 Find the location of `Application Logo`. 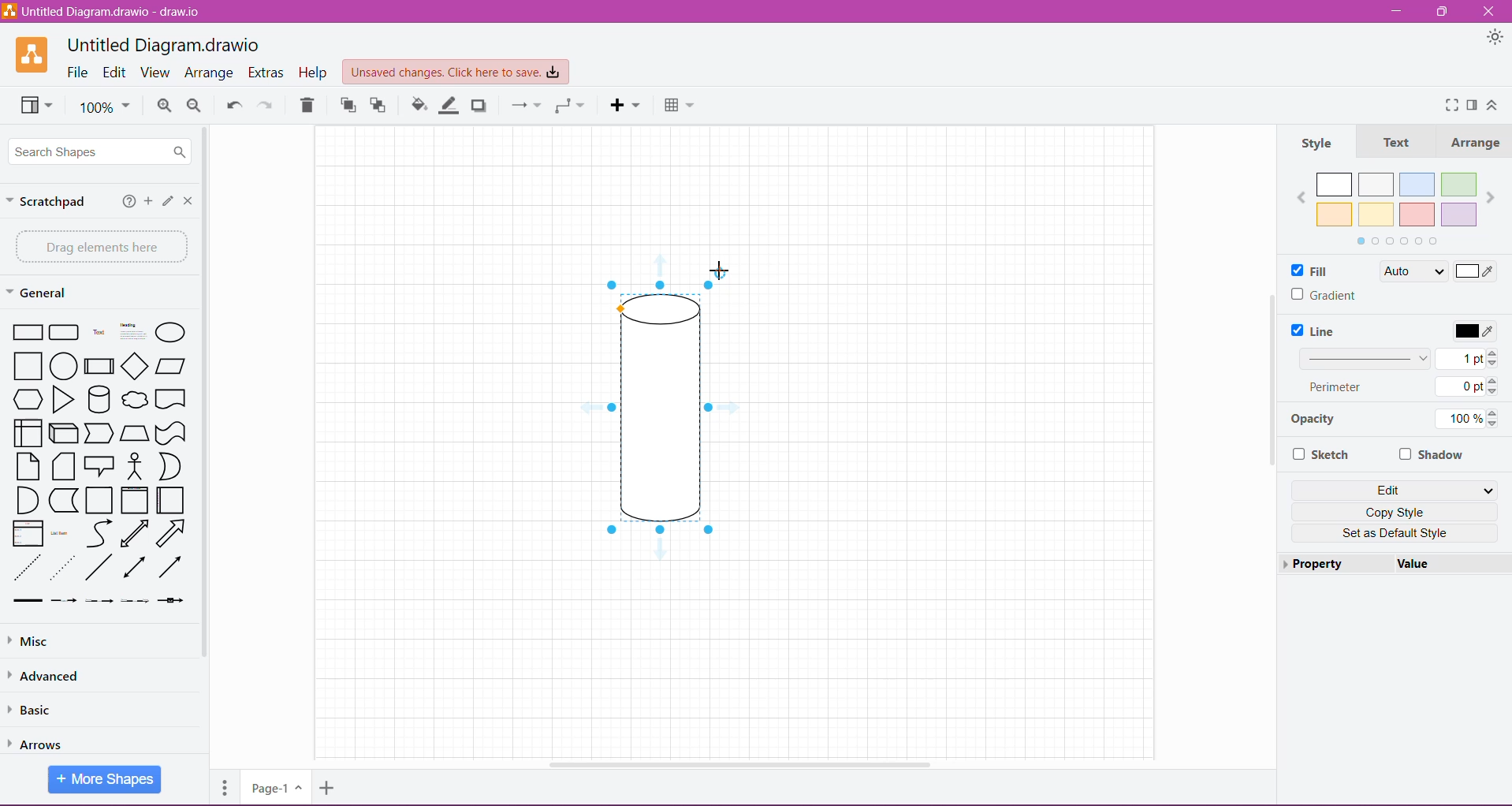

Application Logo is located at coordinates (24, 55).